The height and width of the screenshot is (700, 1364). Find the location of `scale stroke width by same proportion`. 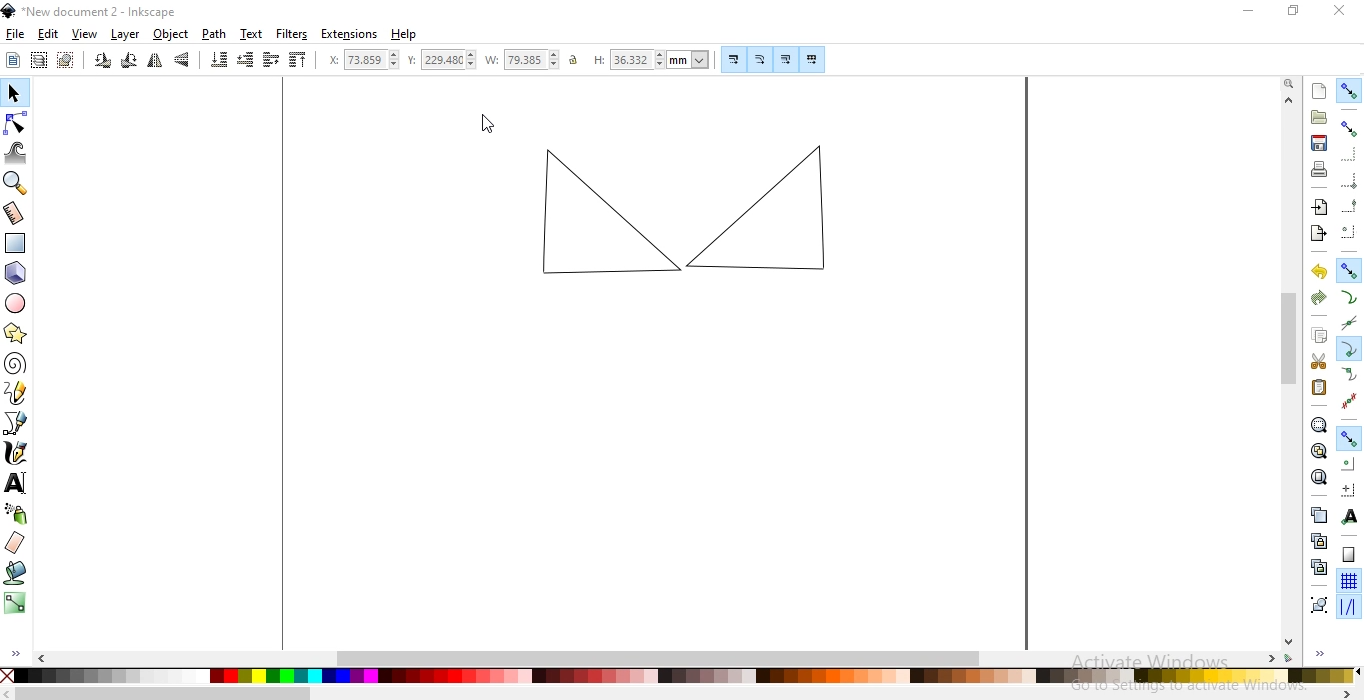

scale stroke width by same proportion is located at coordinates (734, 59).